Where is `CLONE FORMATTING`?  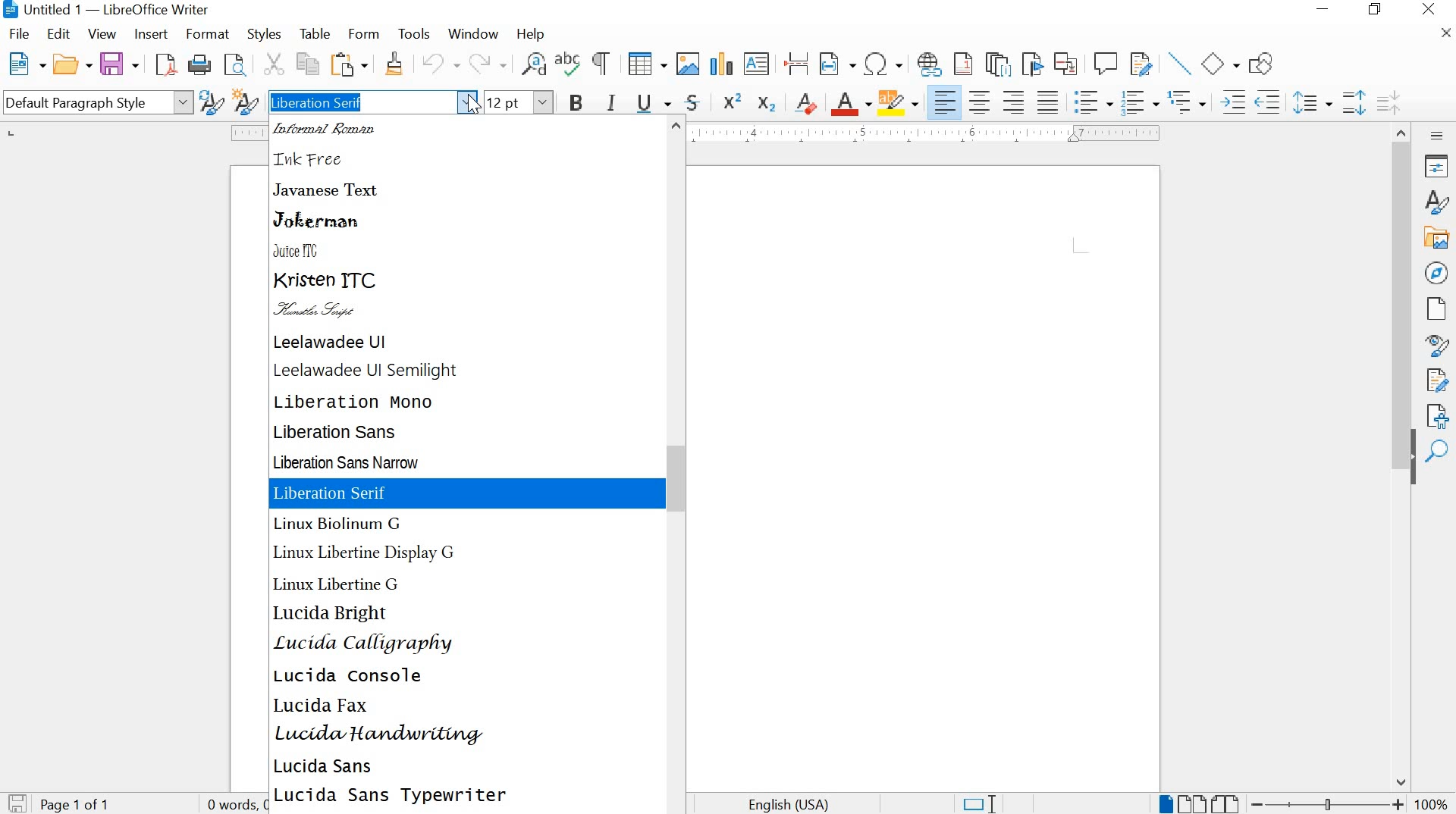 CLONE FORMATTING is located at coordinates (392, 64).